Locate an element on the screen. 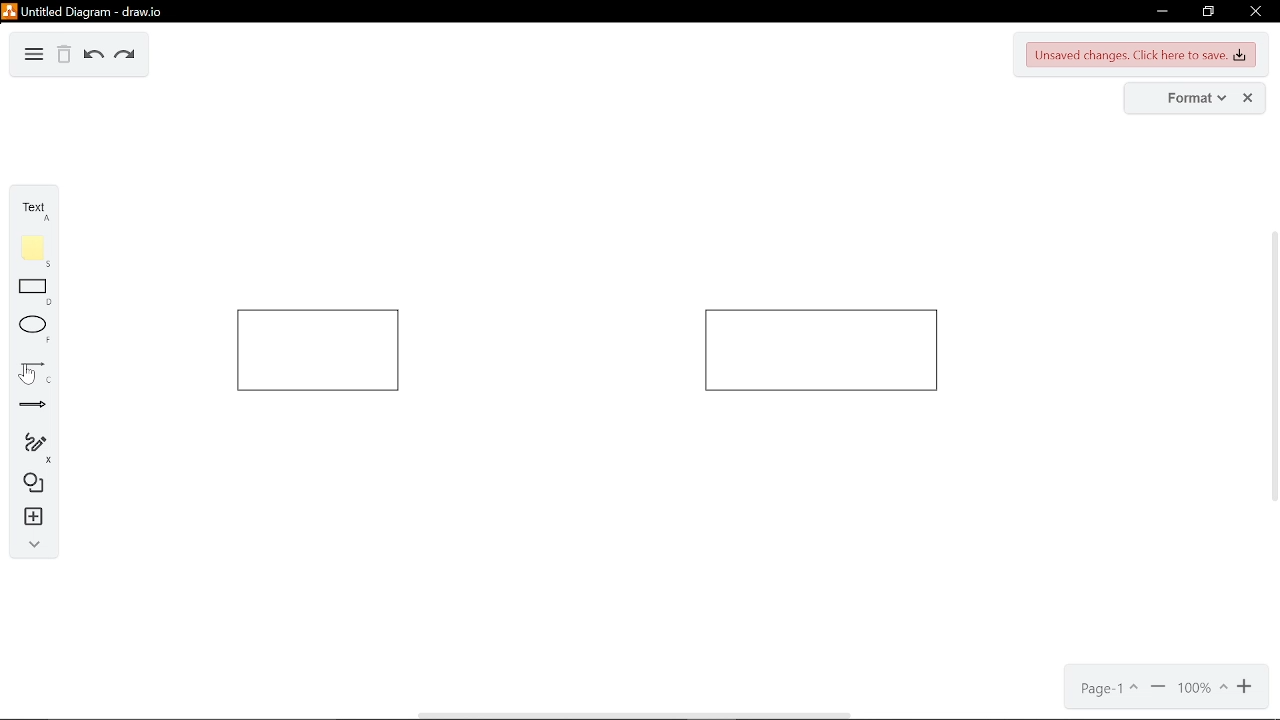  freehand is located at coordinates (30, 447).